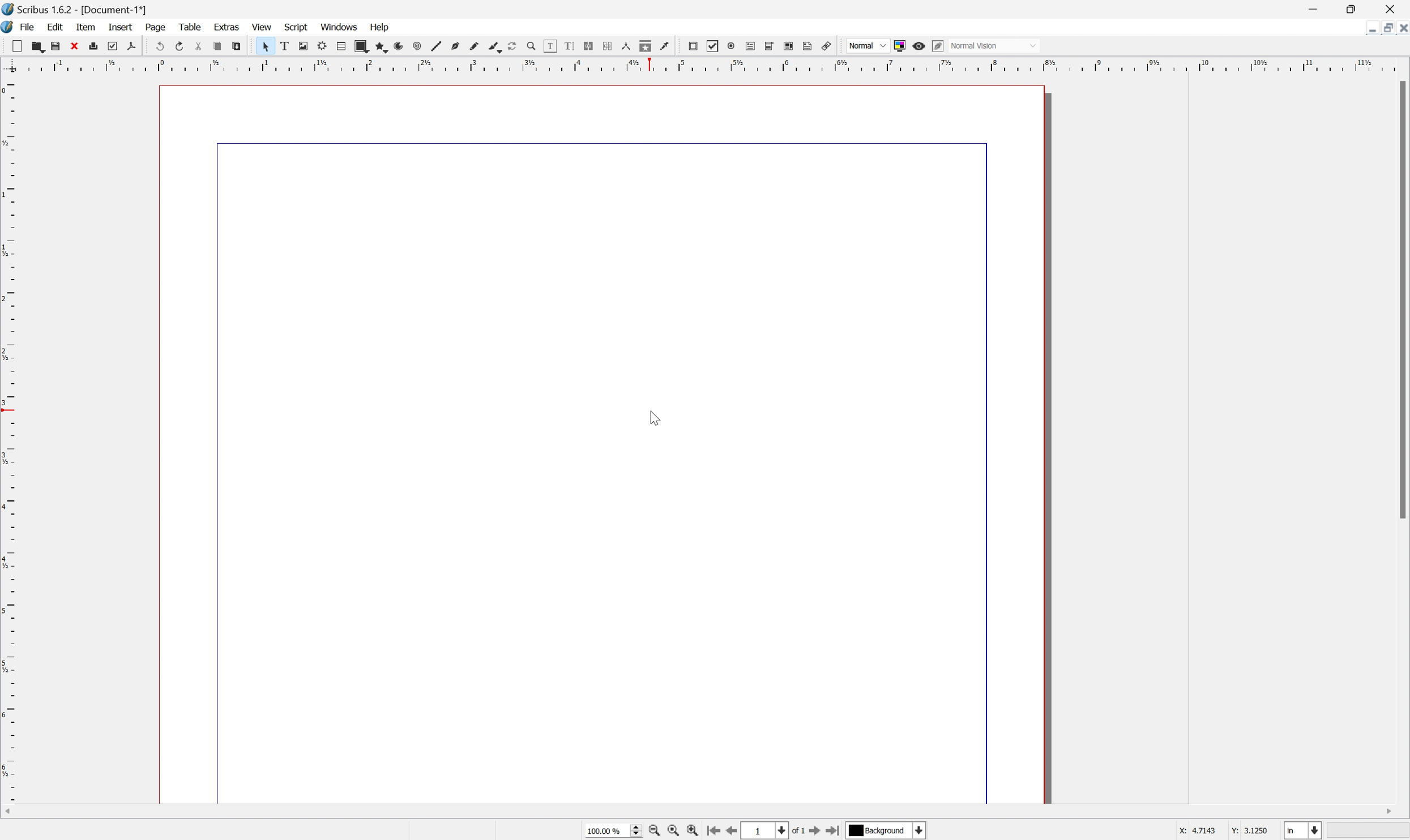  Describe the element at coordinates (834, 832) in the screenshot. I see `Go to last page` at that location.